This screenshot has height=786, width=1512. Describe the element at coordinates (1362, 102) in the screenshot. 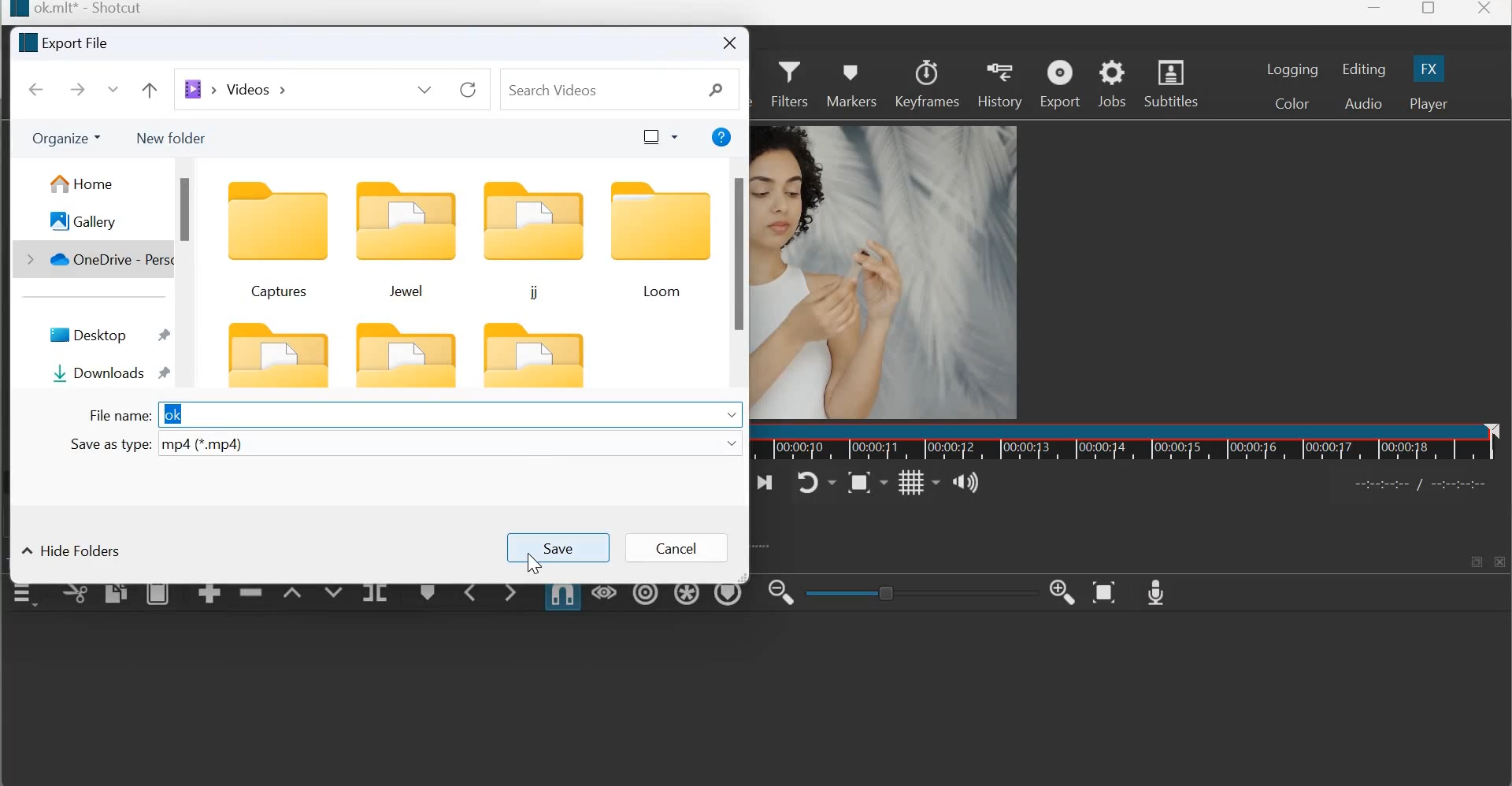

I see `Audio` at that location.